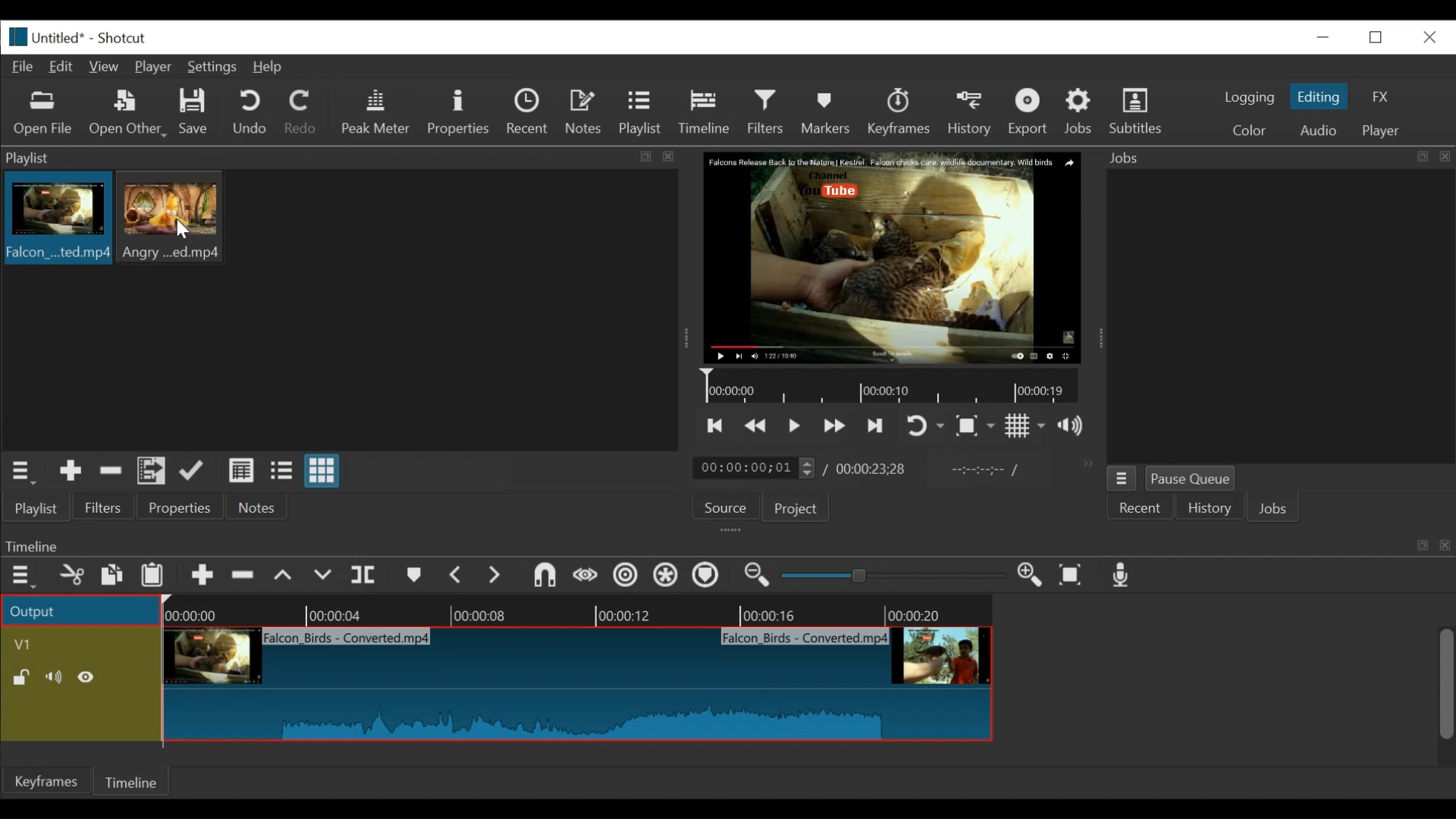 The image size is (1456, 819). What do you see at coordinates (1317, 130) in the screenshot?
I see `Audio` at bounding box center [1317, 130].